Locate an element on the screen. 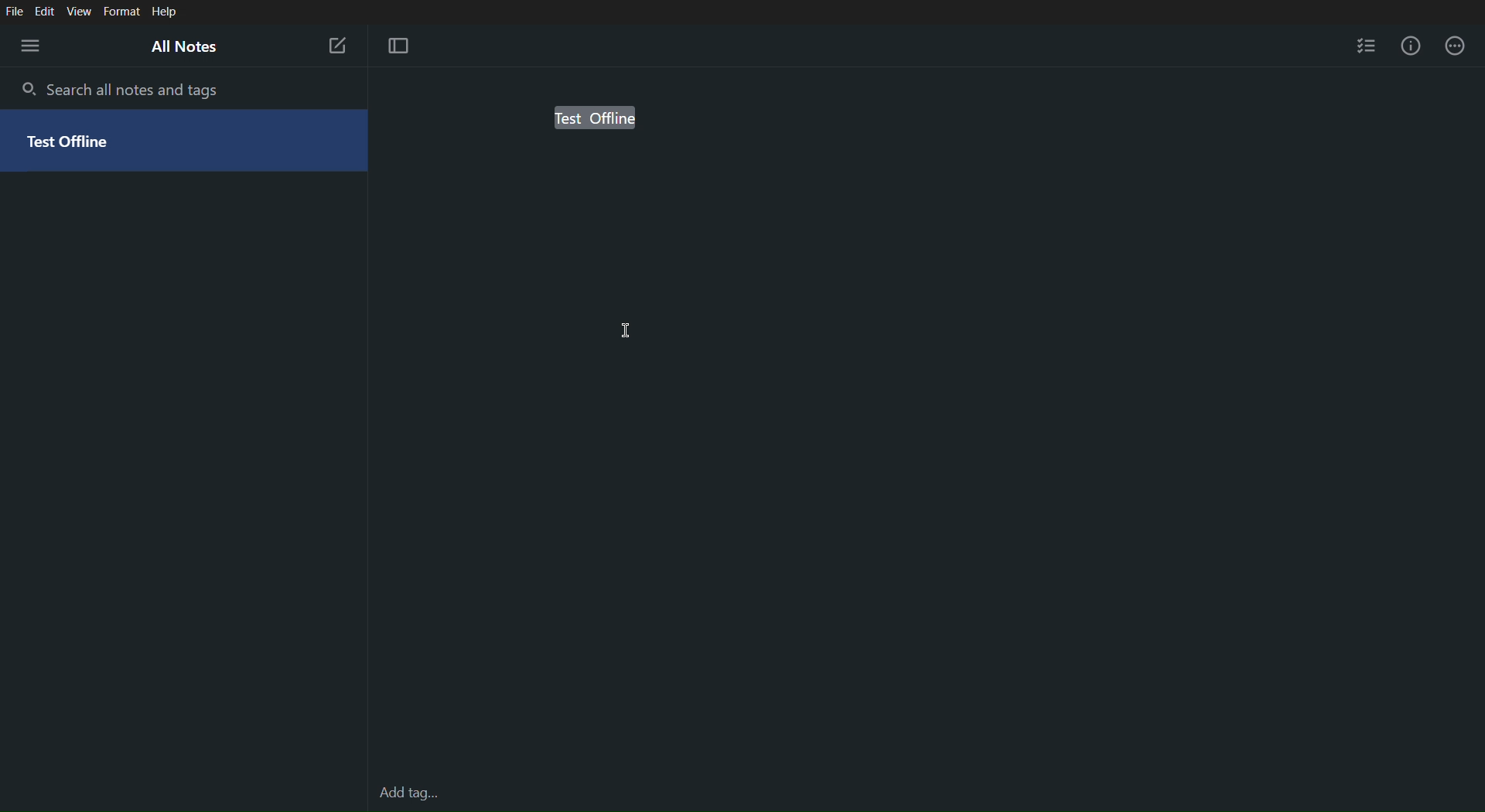 Image resolution: width=1485 pixels, height=812 pixels. More is located at coordinates (1460, 48).